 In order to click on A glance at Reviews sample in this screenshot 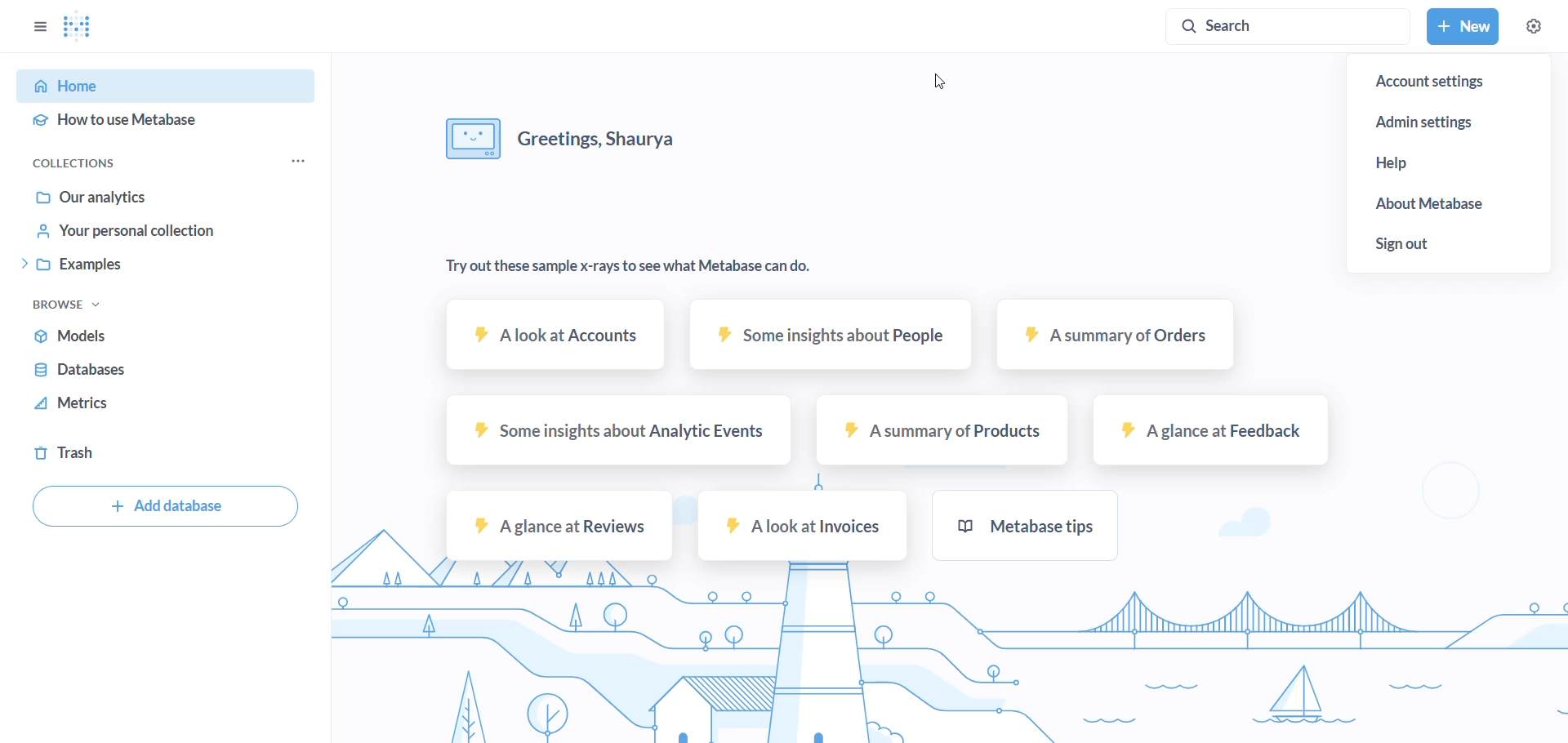, I will do `click(555, 524)`.